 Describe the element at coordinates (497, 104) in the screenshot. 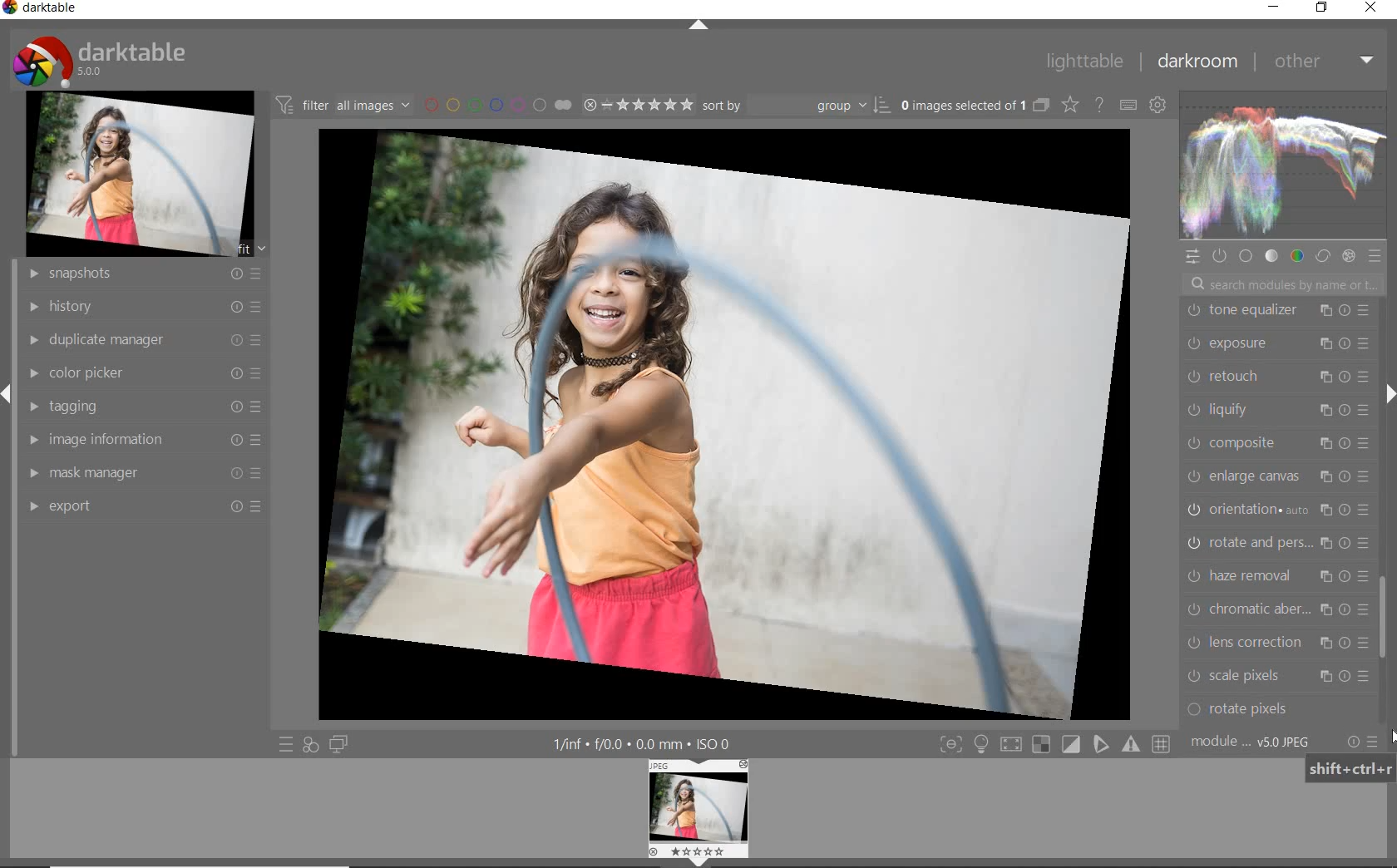

I see `filter by image color label` at that location.